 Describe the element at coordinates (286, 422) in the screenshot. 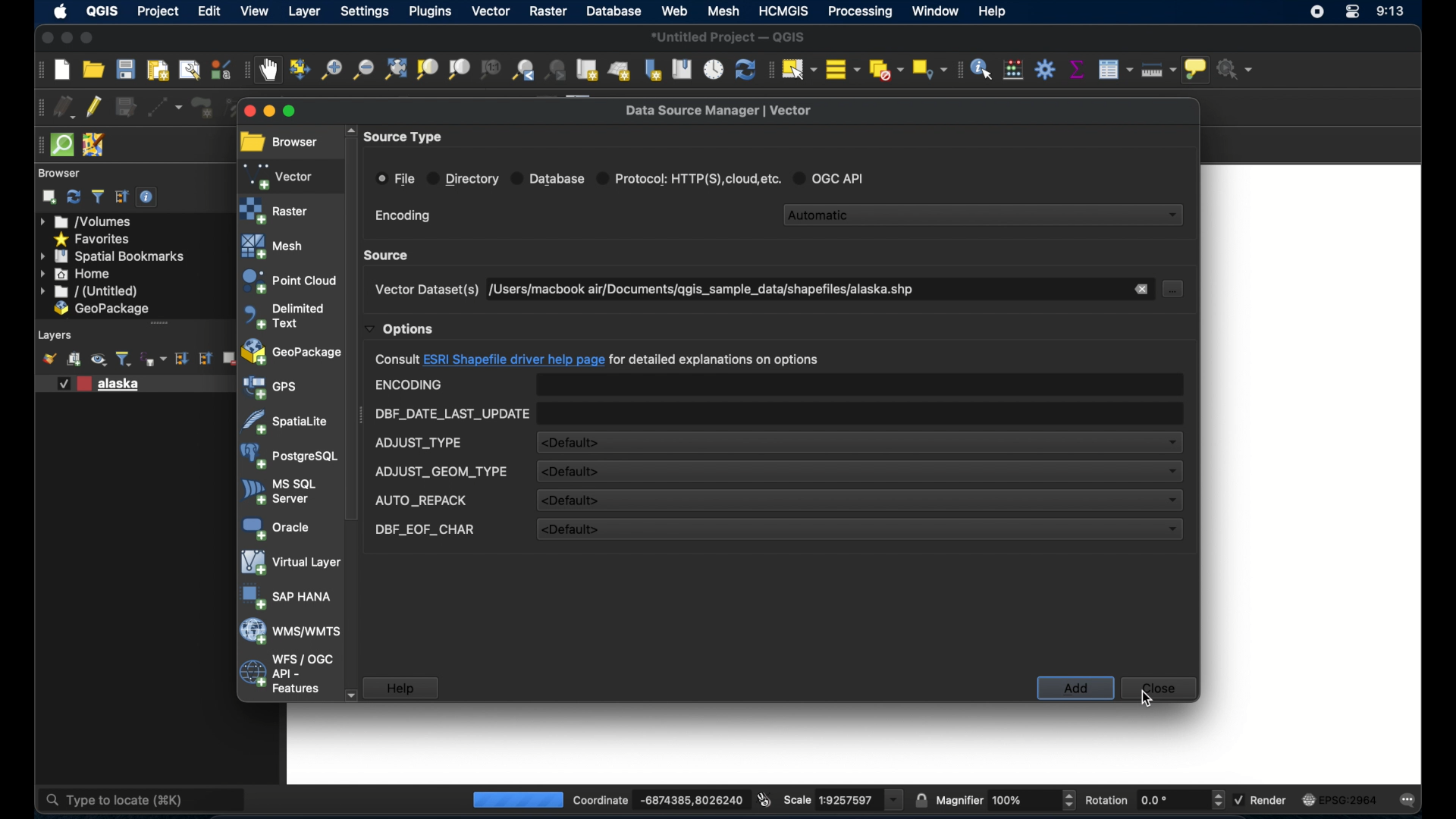

I see `spatiallite` at that location.